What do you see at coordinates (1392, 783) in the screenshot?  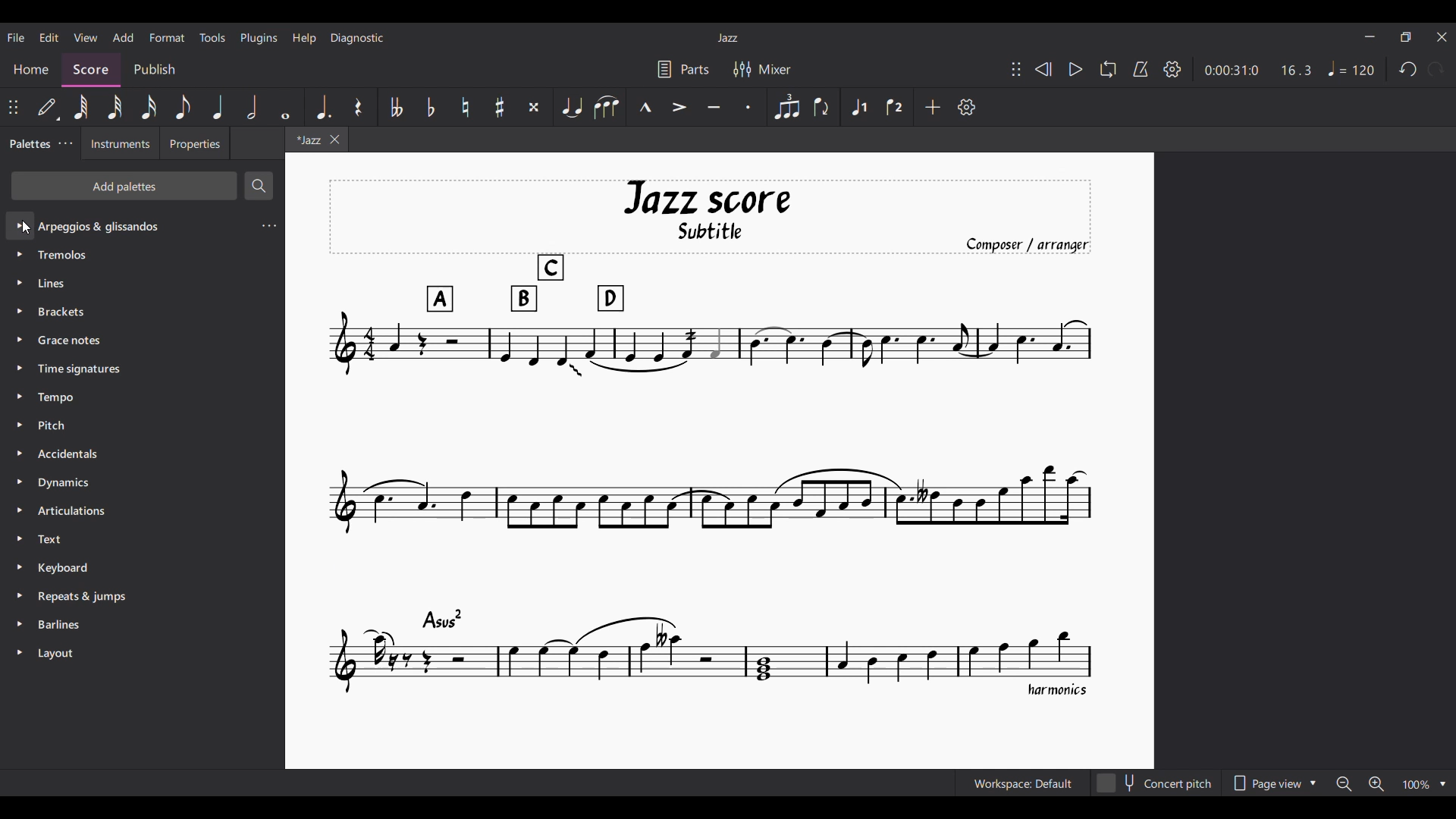 I see `Zoom options` at bounding box center [1392, 783].